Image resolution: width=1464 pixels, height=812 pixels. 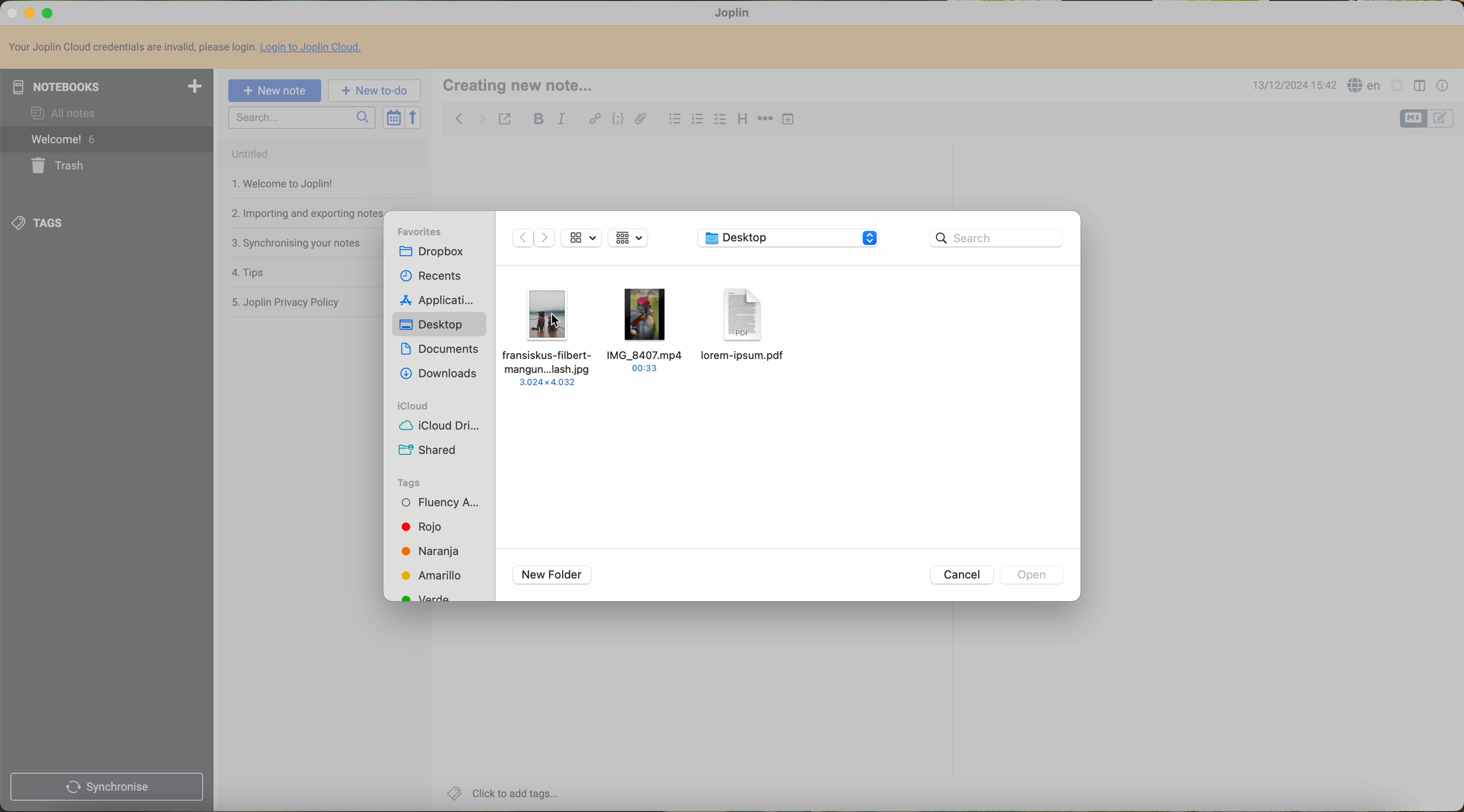 What do you see at coordinates (306, 213) in the screenshot?
I see `importing and exporting notes` at bounding box center [306, 213].